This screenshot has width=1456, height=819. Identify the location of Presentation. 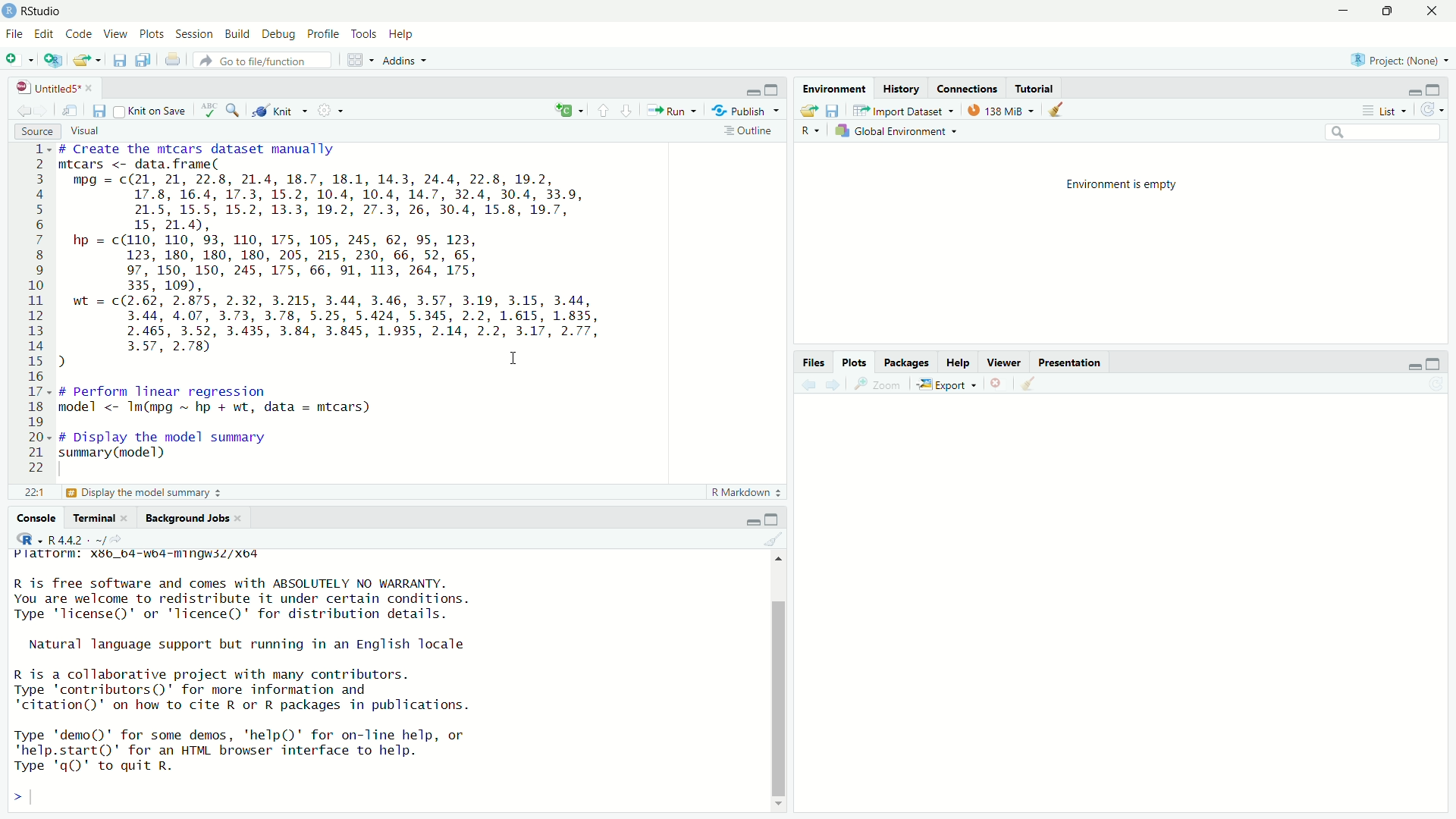
(1070, 363).